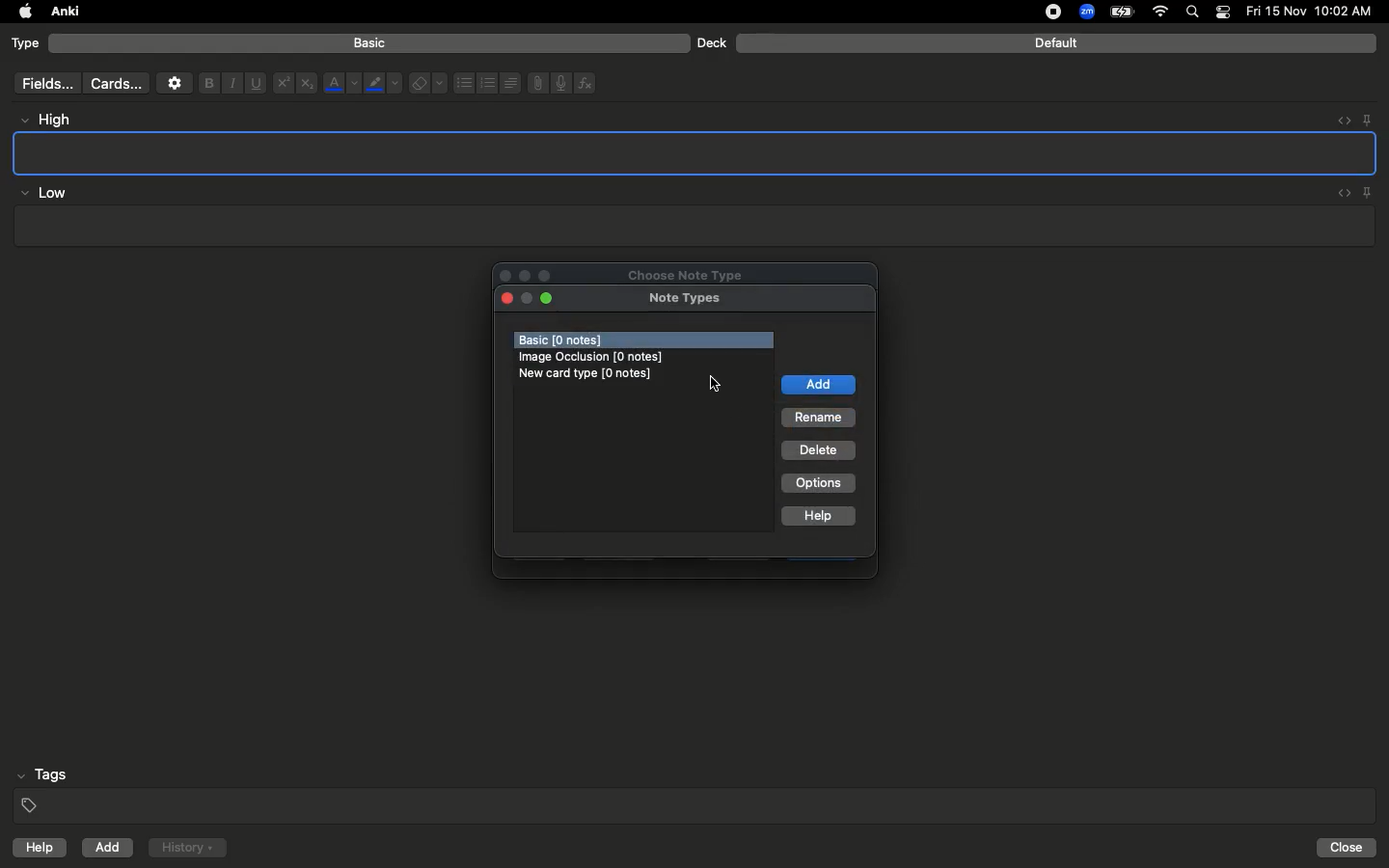 The image size is (1389, 868). Describe the element at coordinates (527, 300) in the screenshot. I see `minimize` at that location.